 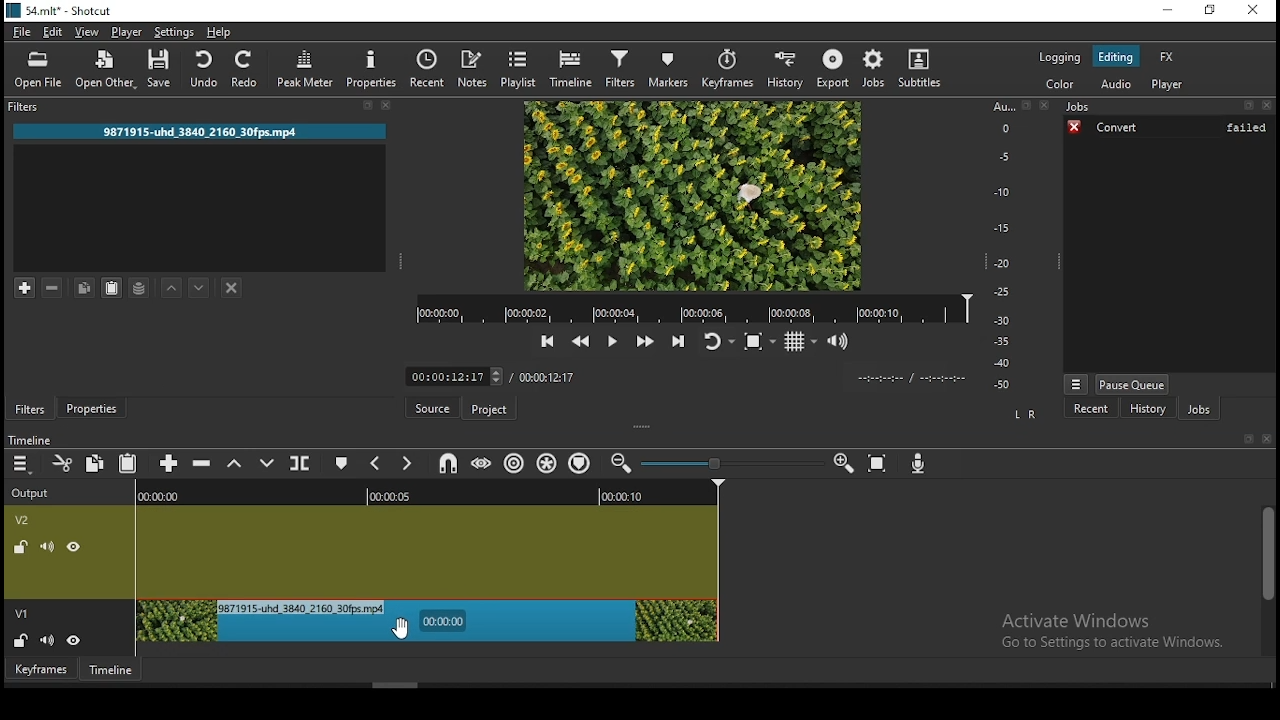 I want to click on bookmark, so click(x=1243, y=438).